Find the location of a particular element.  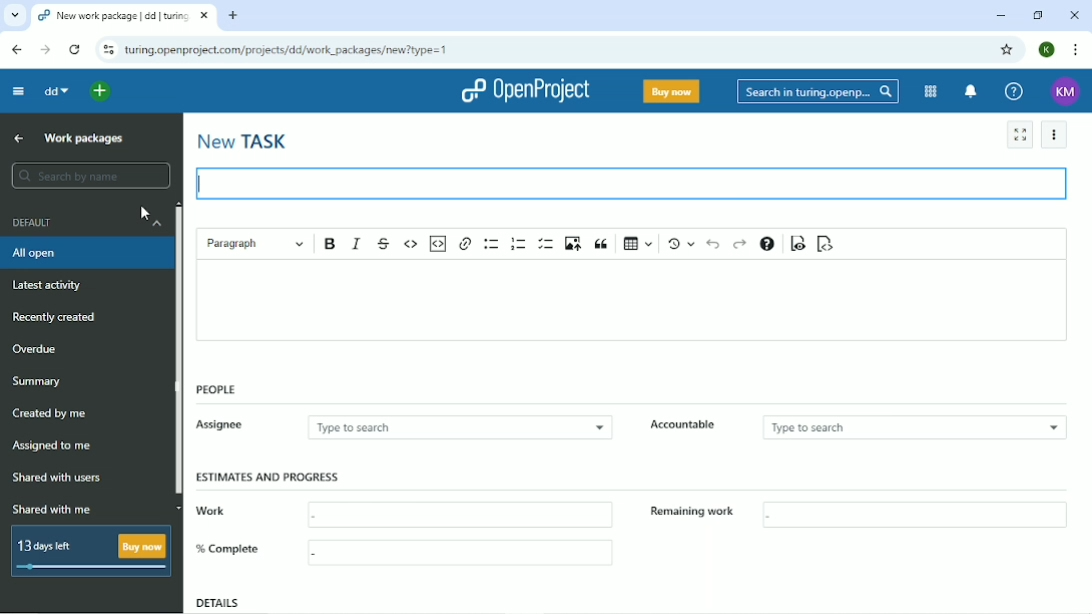

Work packages is located at coordinates (83, 138).